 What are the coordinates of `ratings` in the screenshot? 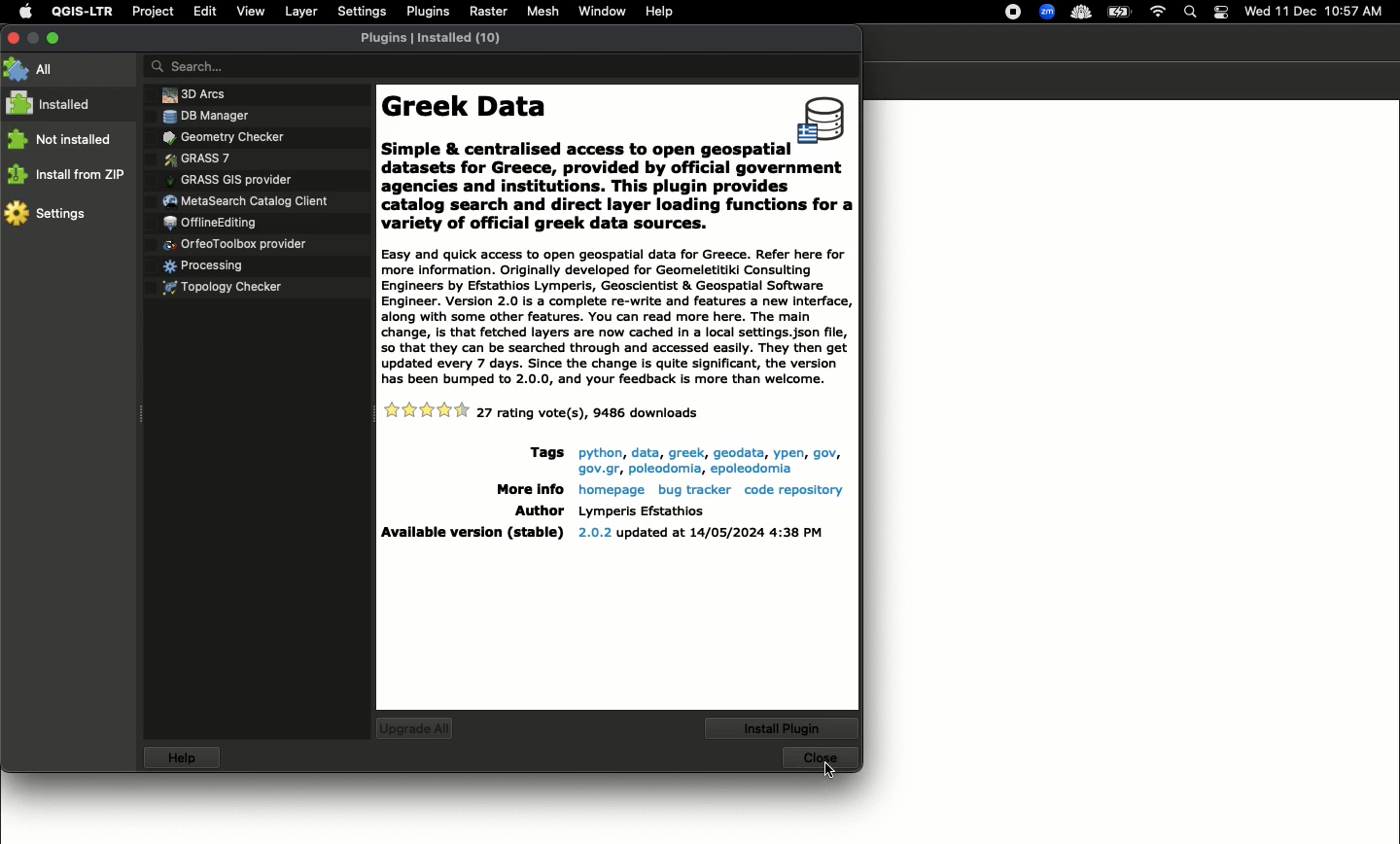 It's located at (428, 411).